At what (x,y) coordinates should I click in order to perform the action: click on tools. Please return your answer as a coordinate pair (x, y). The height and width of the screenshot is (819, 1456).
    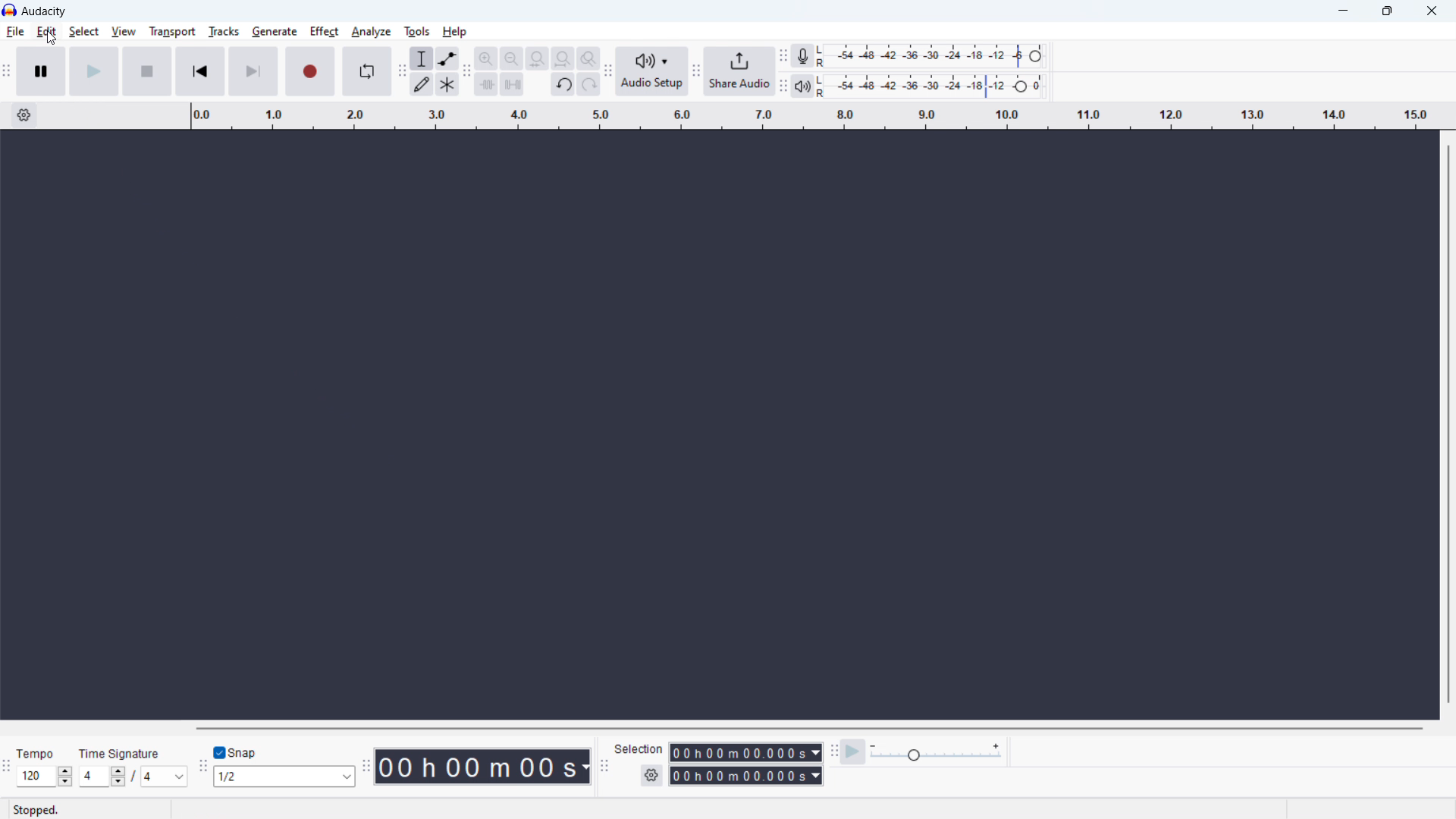
    Looking at the image, I should click on (416, 30).